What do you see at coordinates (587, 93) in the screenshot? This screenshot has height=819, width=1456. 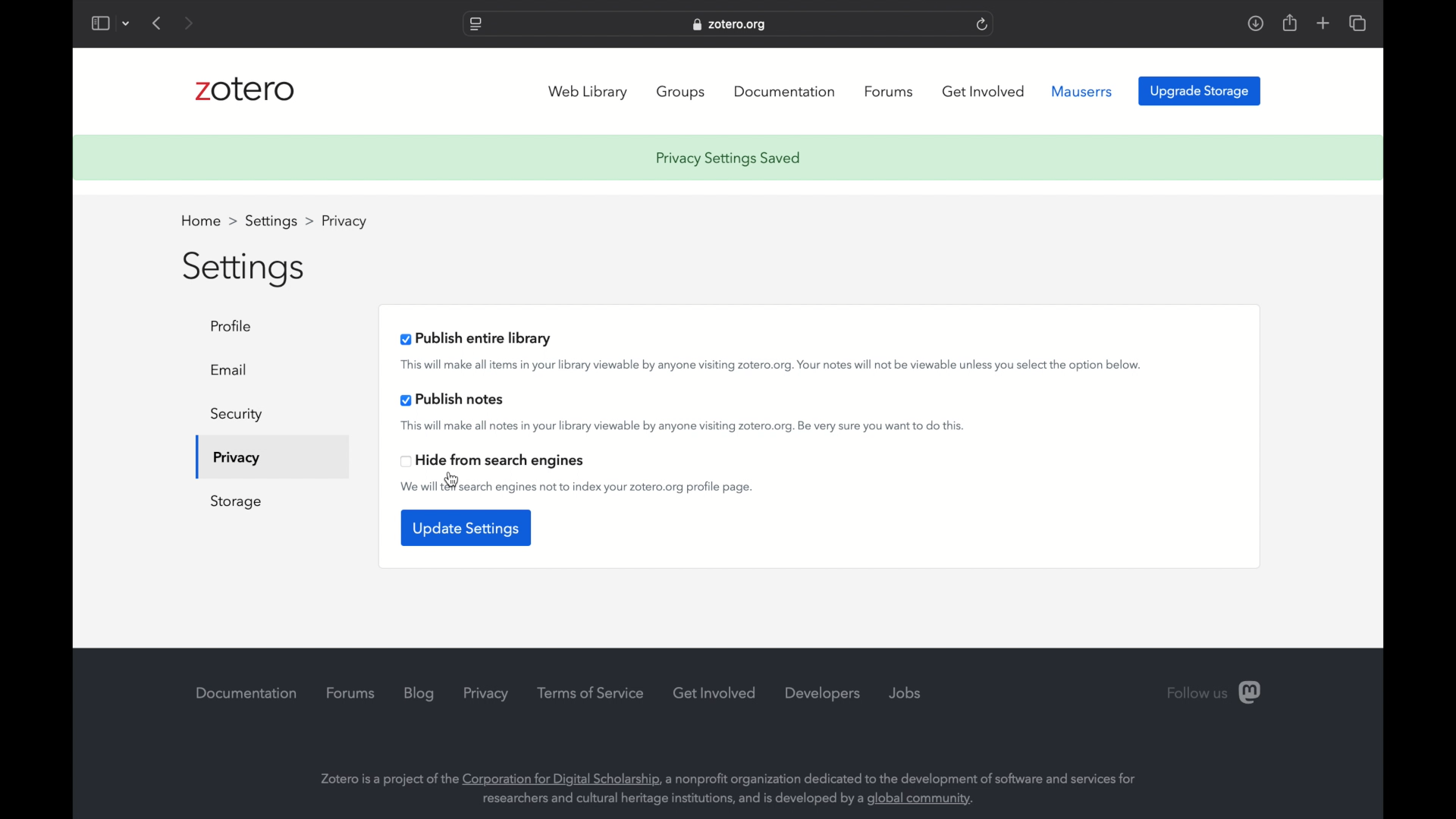 I see `web library` at bounding box center [587, 93].